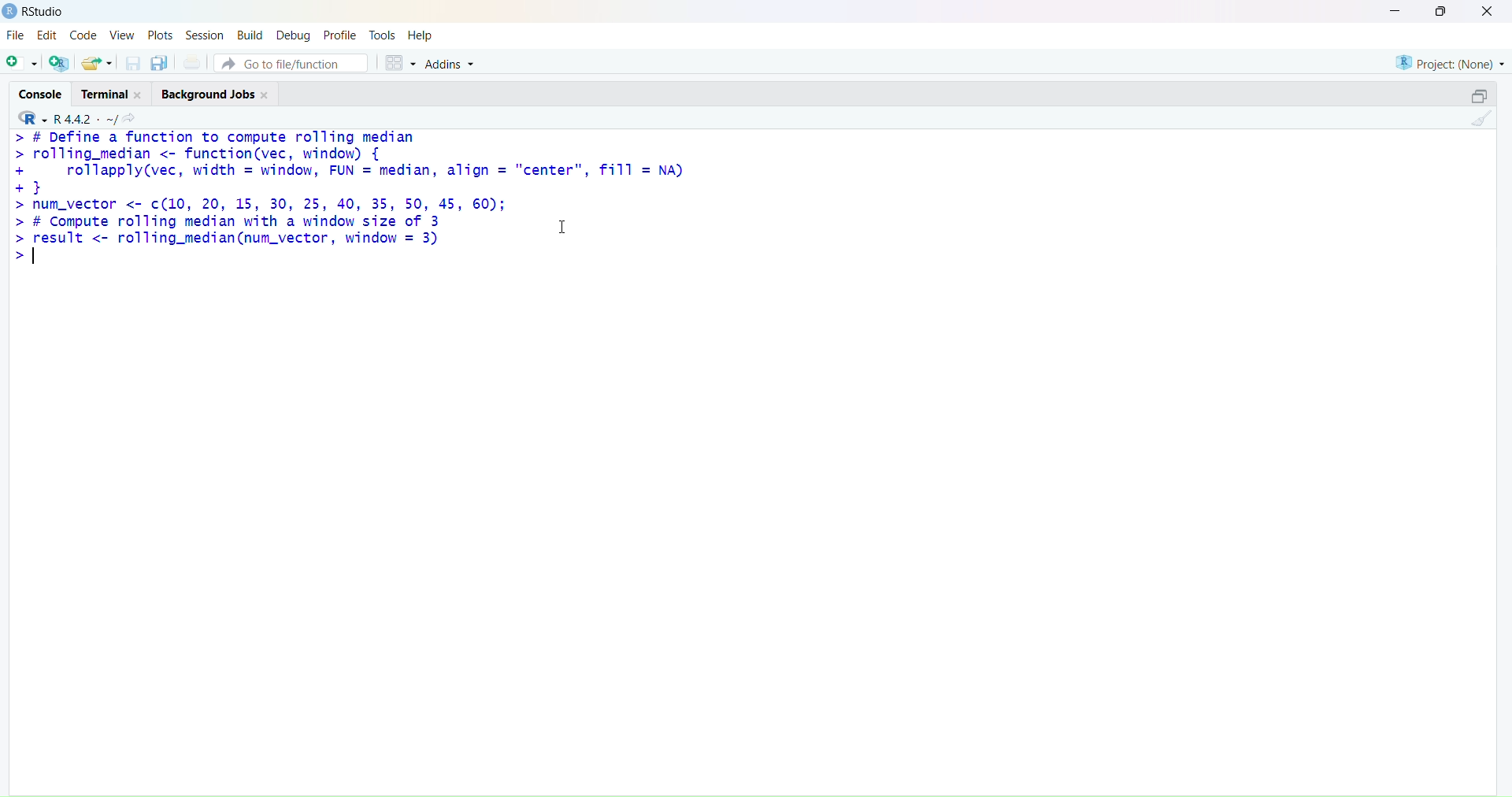 This screenshot has height=797, width=1512. What do you see at coordinates (84, 35) in the screenshot?
I see `code` at bounding box center [84, 35].